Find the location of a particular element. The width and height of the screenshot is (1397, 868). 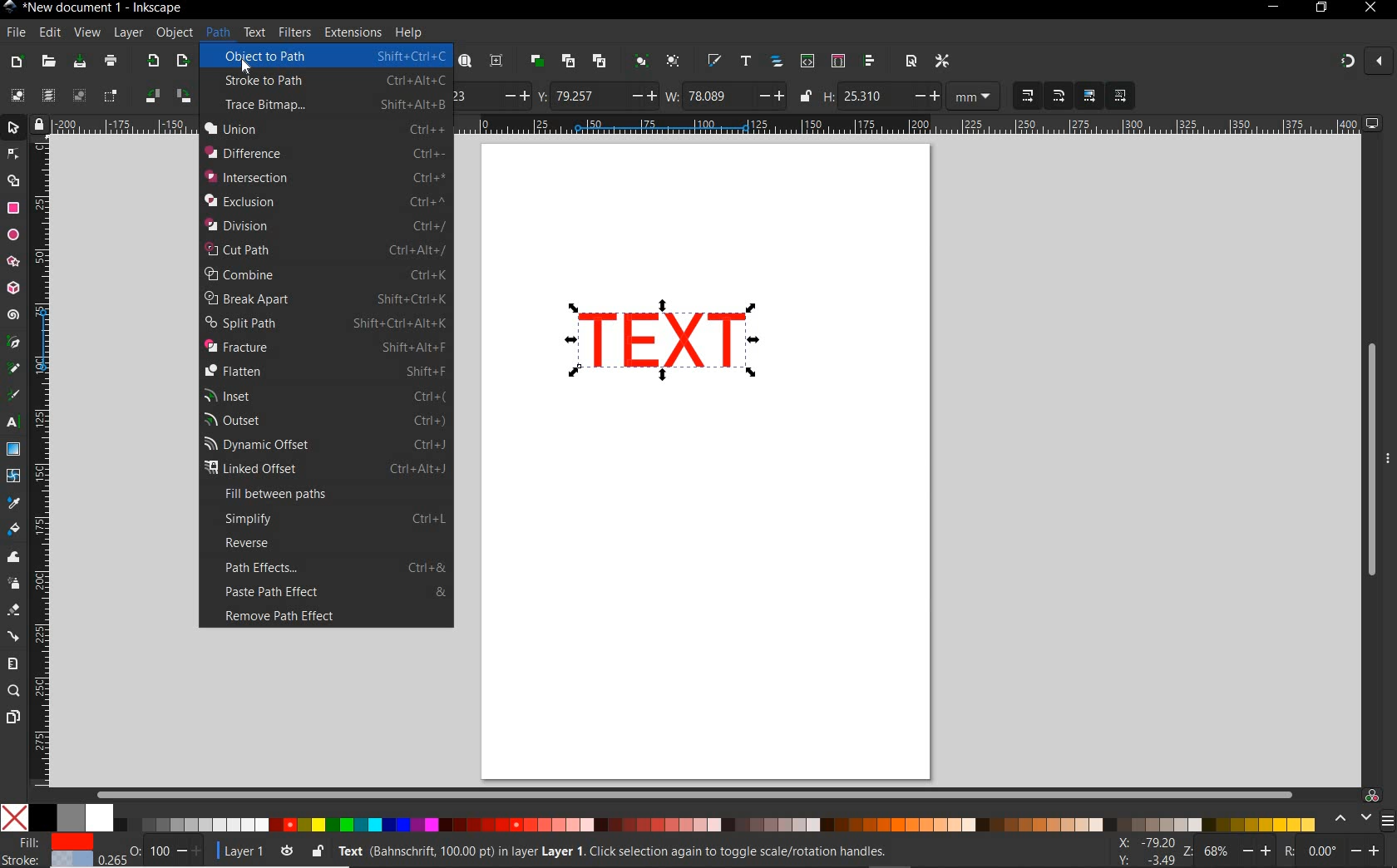

TOGGLE CURRENT LAYER VISIBILITY is located at coordinates (287, 851).